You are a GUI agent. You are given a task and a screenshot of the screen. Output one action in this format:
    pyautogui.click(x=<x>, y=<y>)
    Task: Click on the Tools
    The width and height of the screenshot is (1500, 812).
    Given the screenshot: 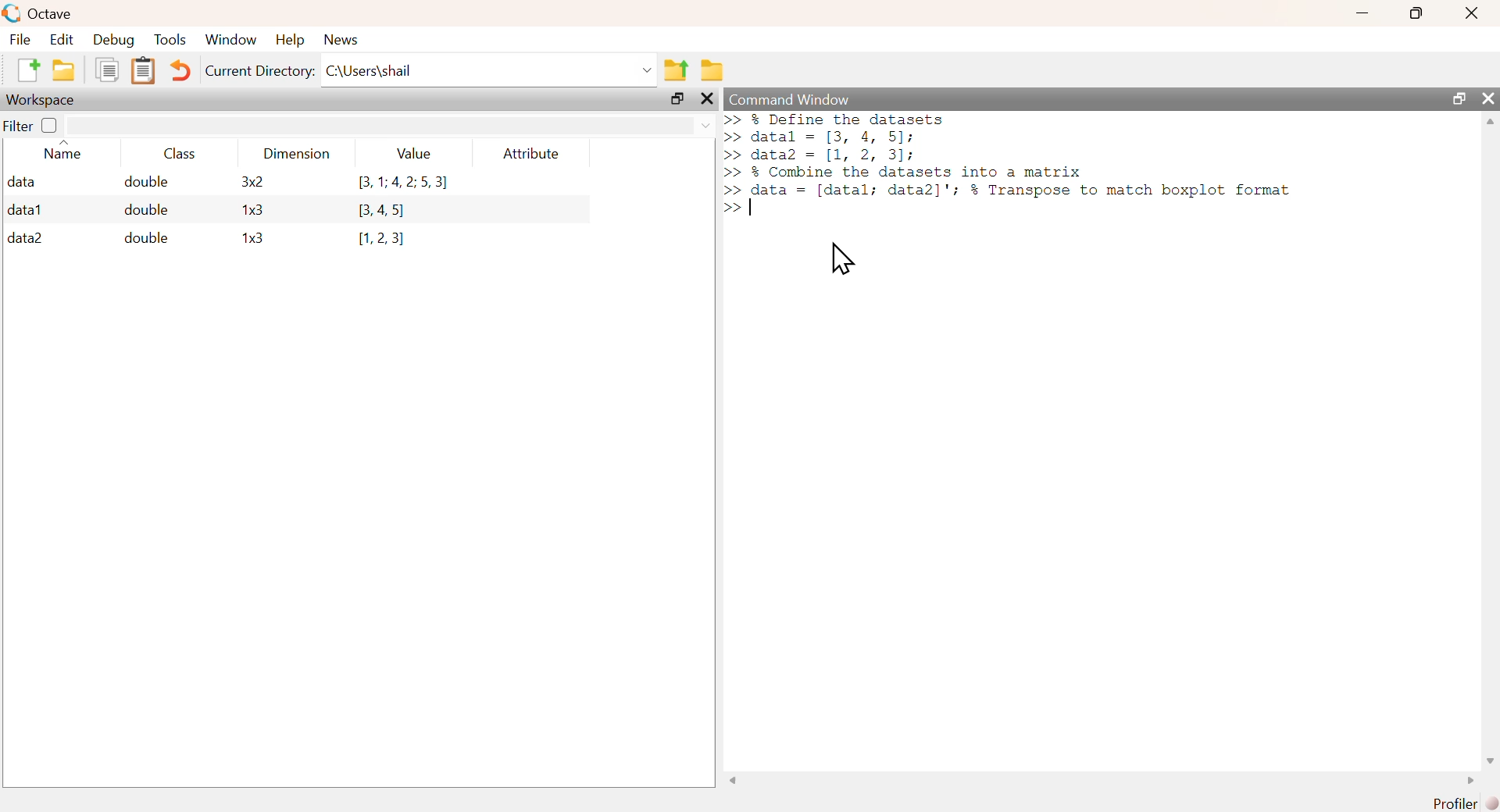 What is the action you would take?
    pyautogui.click(x=171, y=39)
    